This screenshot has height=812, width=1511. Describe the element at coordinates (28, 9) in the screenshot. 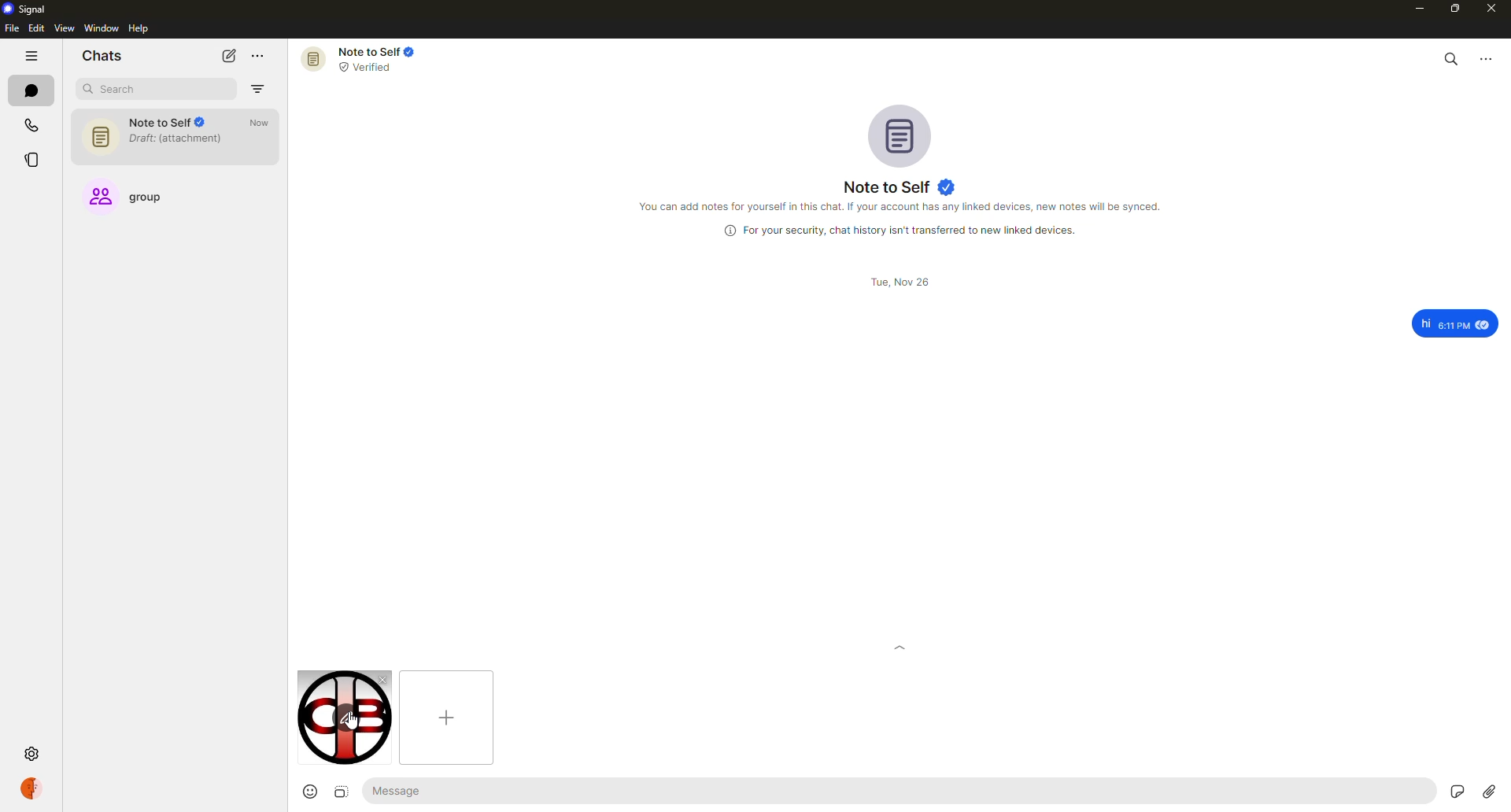

I see `signal` at that location.